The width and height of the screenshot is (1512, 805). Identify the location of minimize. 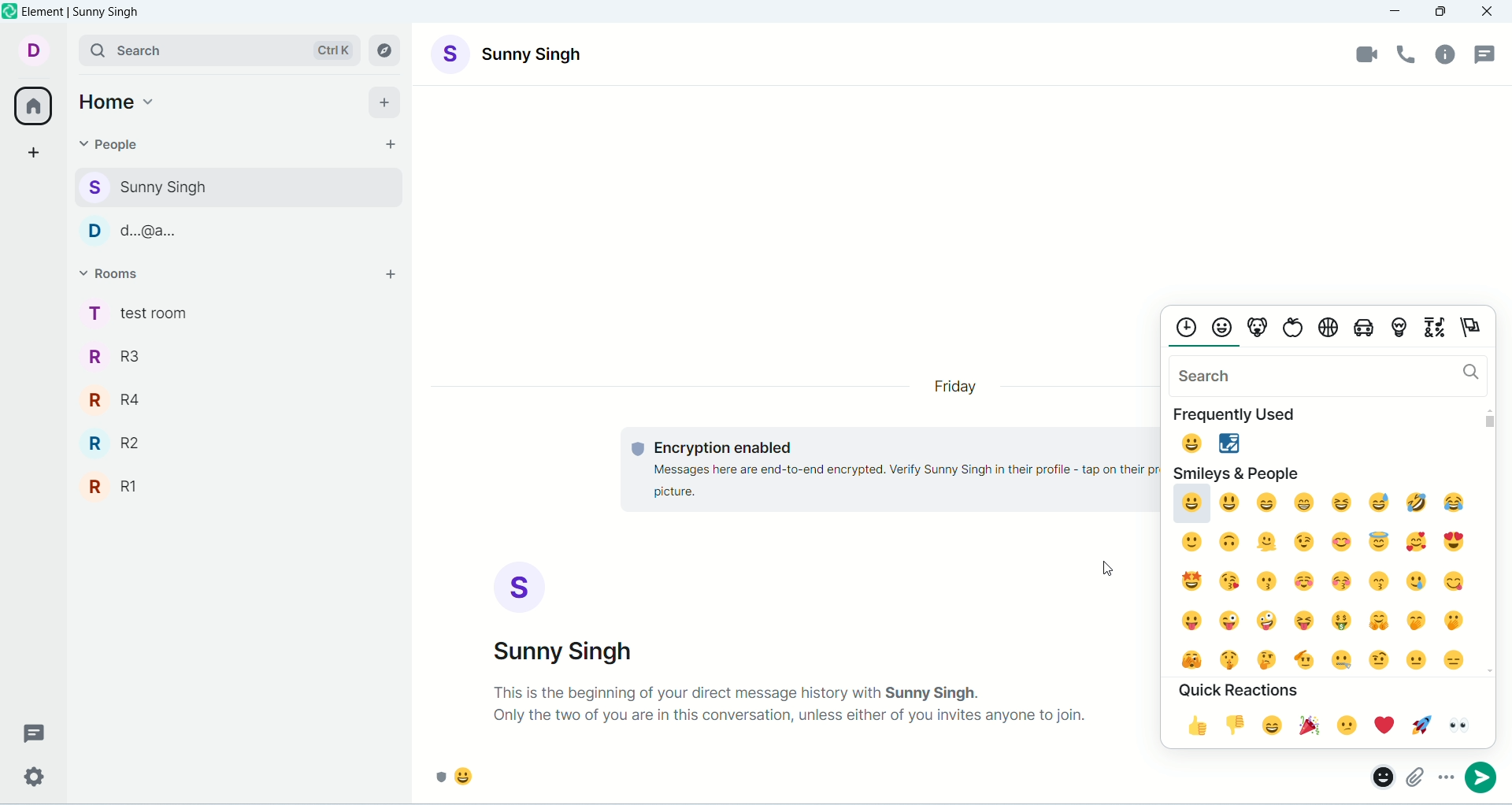
(1396, 13).